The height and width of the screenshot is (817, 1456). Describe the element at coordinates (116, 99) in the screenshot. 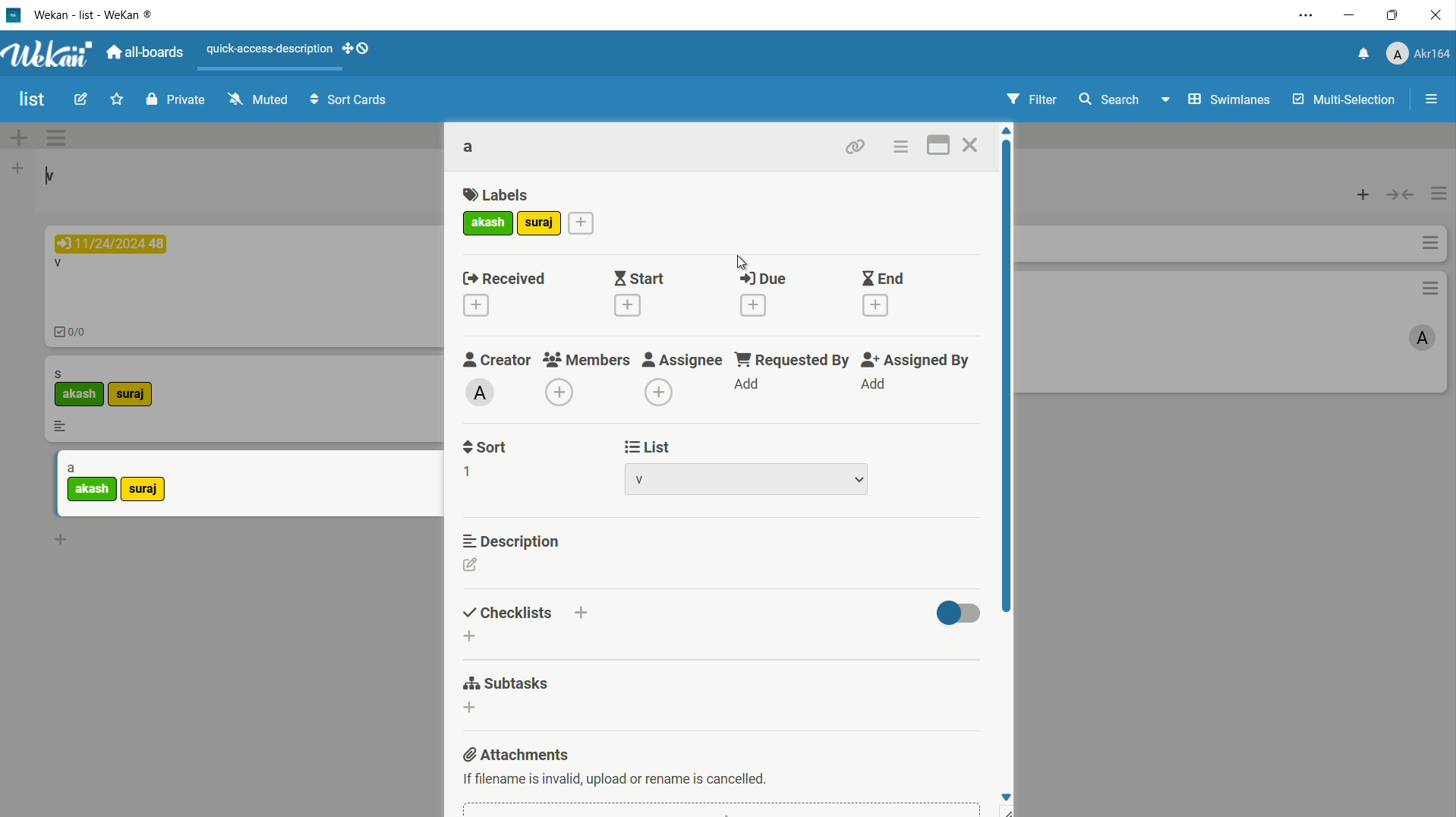

I see `star` at that location.